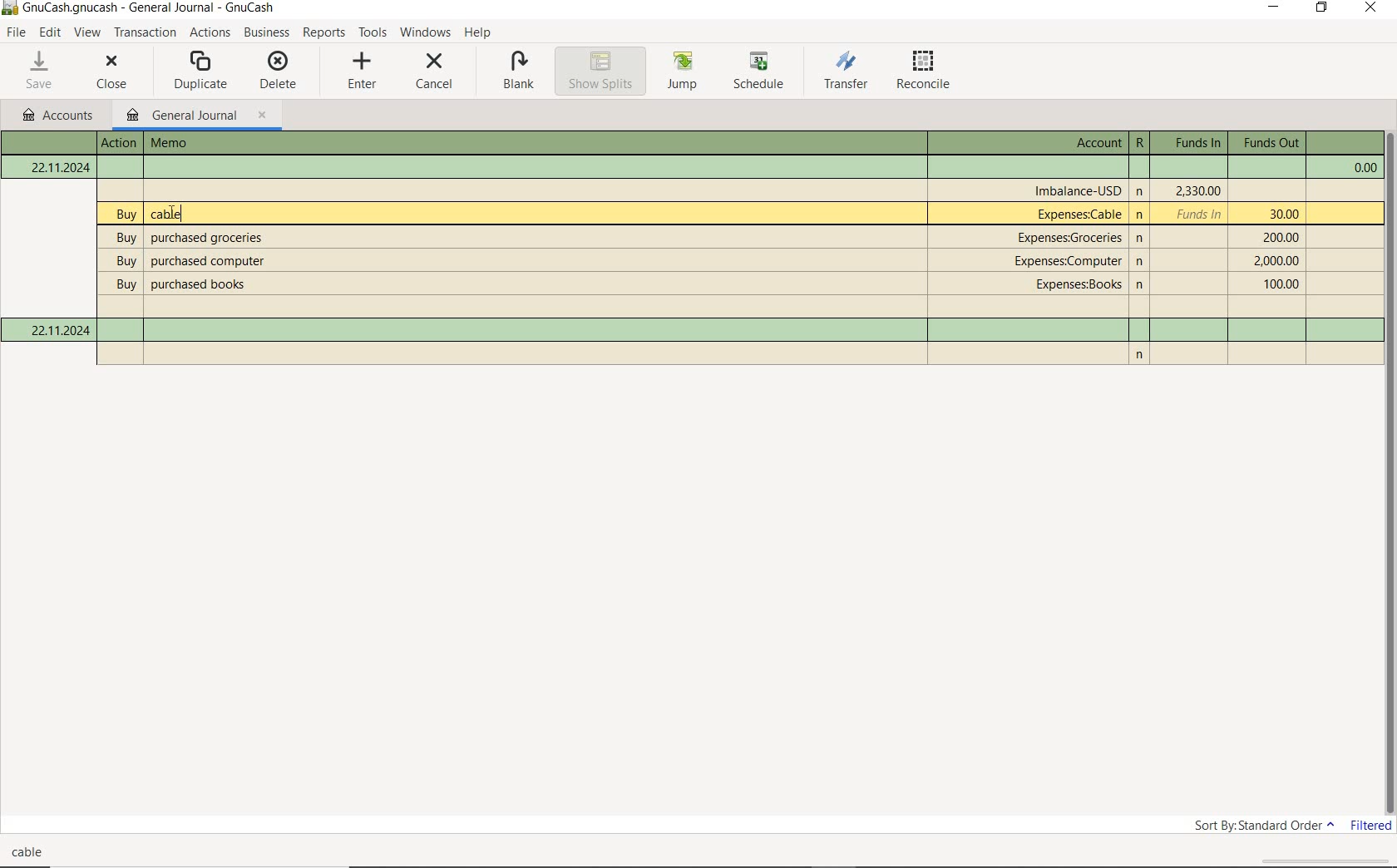  Describe the element at coordinates (112, 74) in the screenshot. I see `close` at that location.